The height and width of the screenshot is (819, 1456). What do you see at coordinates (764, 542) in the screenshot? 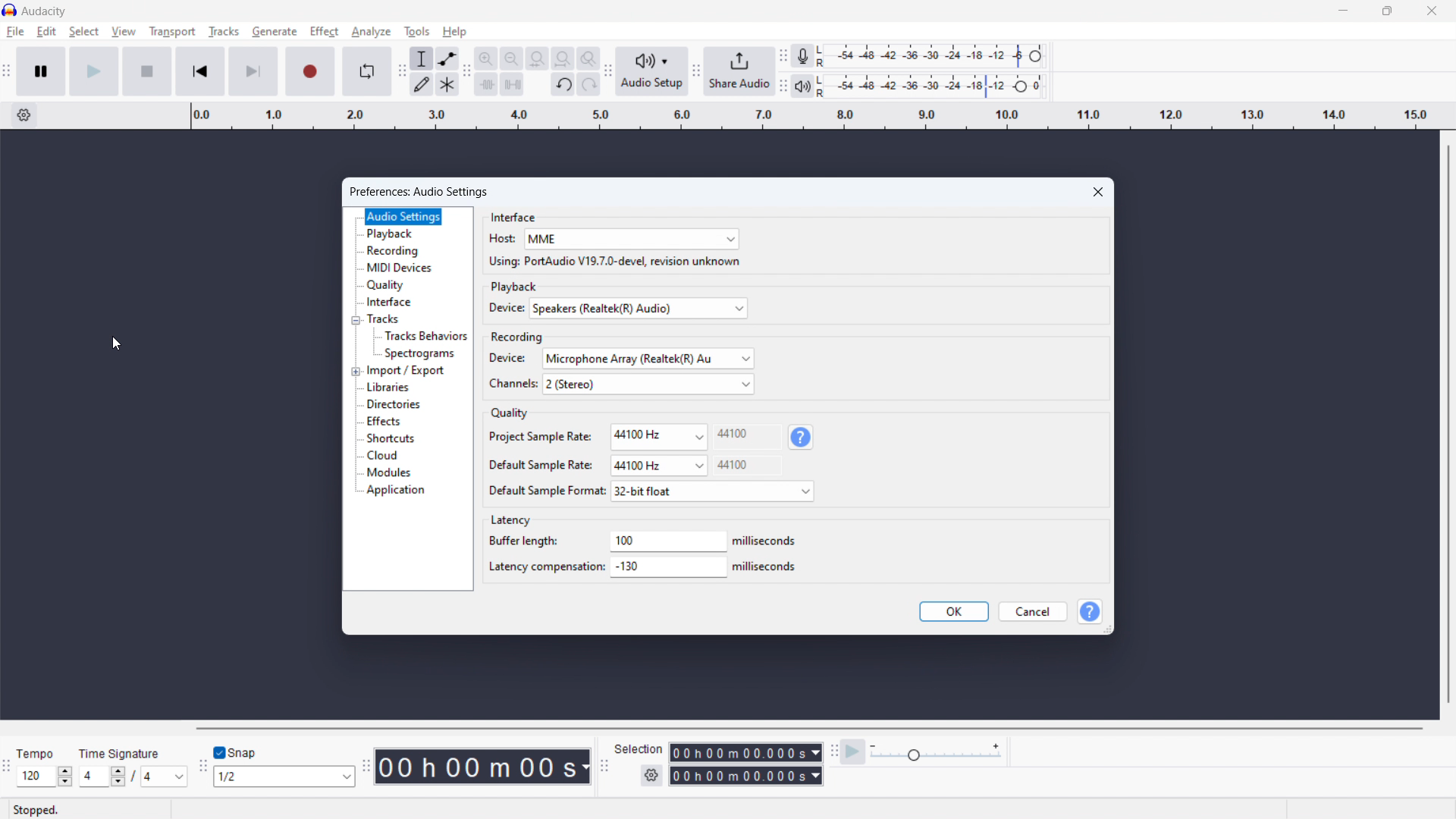
I see `Miliseconds` at bounding box center [764, 542].